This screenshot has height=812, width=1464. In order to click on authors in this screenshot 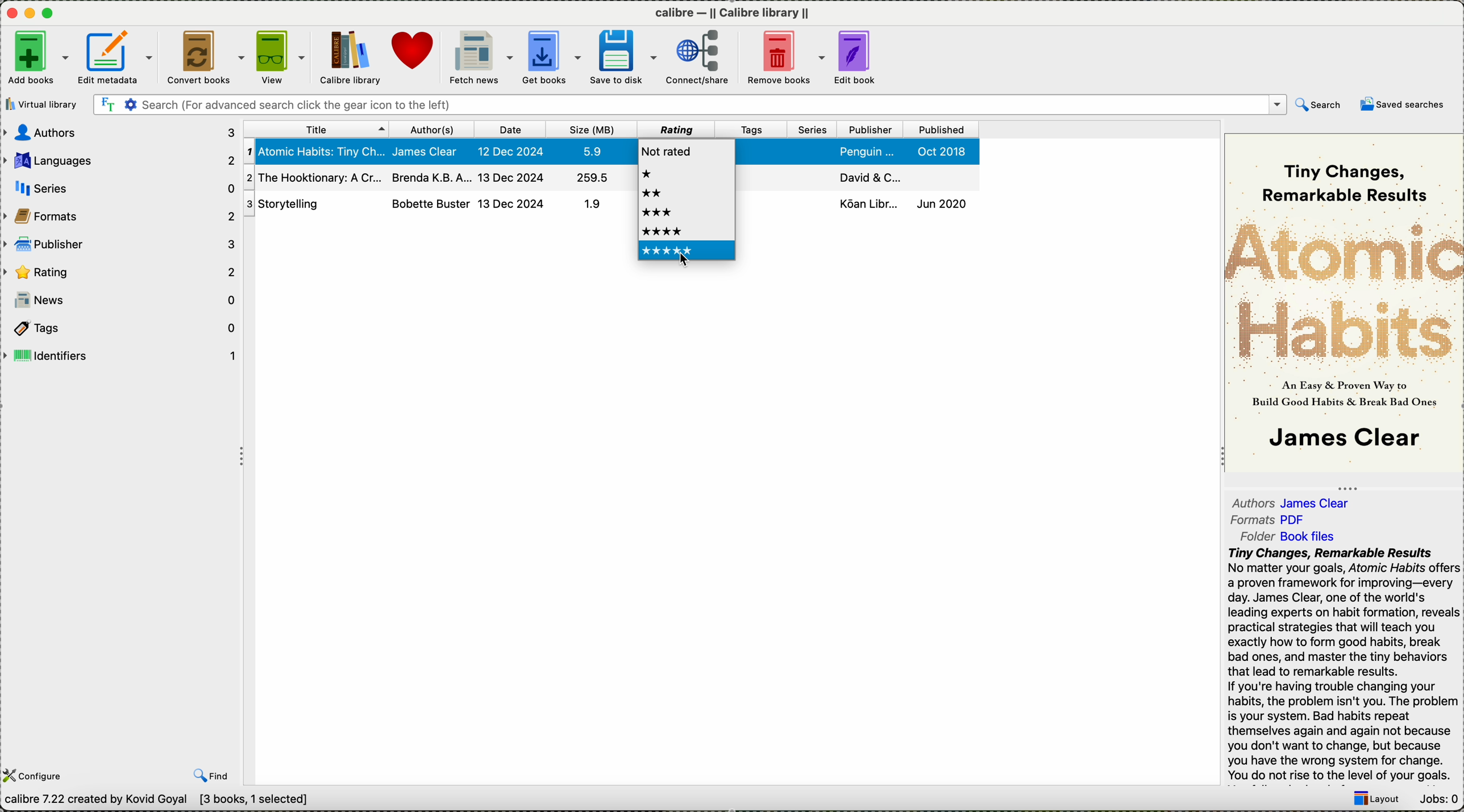, I will do `click(432, 128)`.